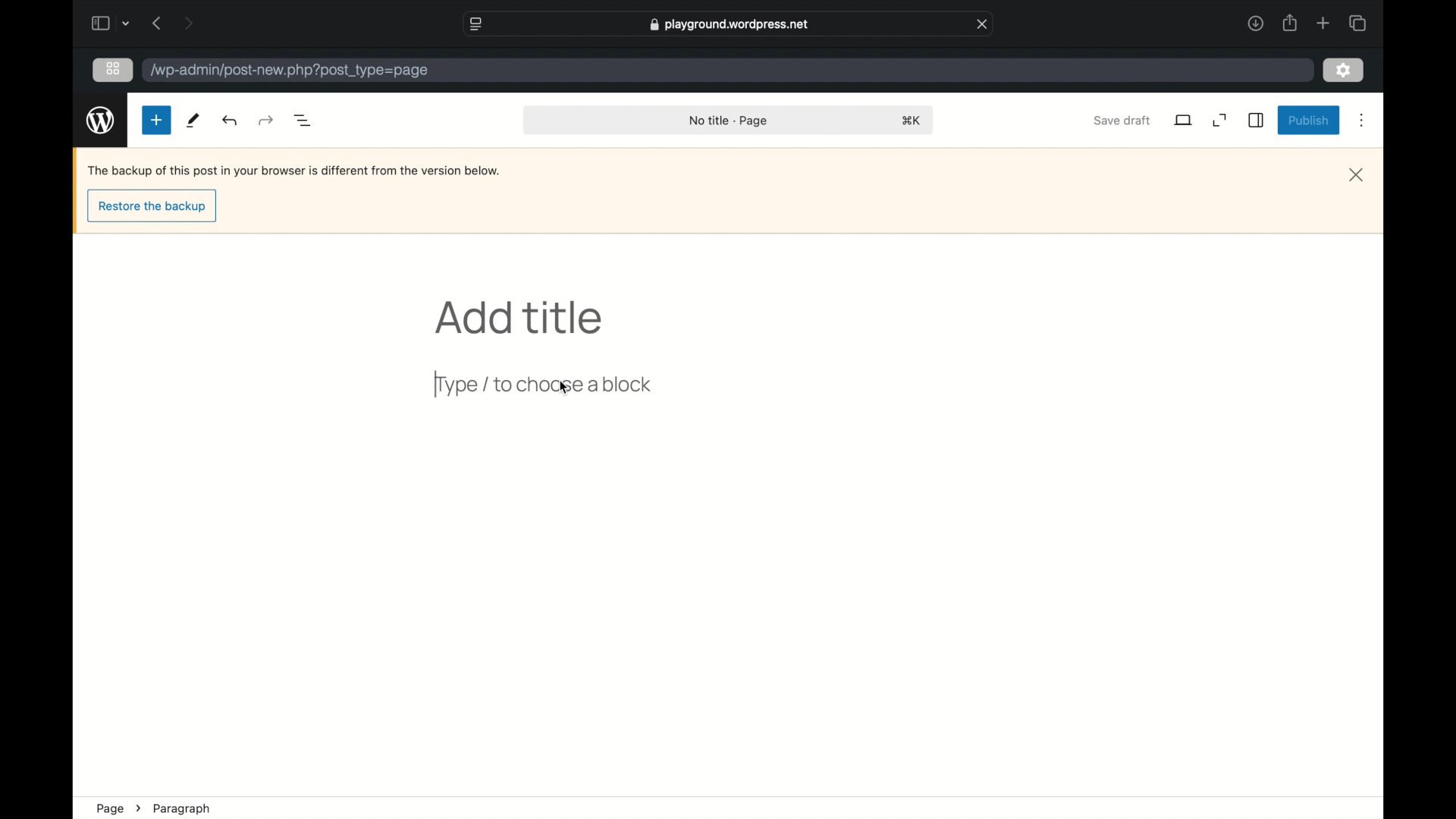 The image size is (1456, 819). What do you see at coordinates (1121, 120) in the screenshot?
I see `save draft` at bounding box center [1121, 120].